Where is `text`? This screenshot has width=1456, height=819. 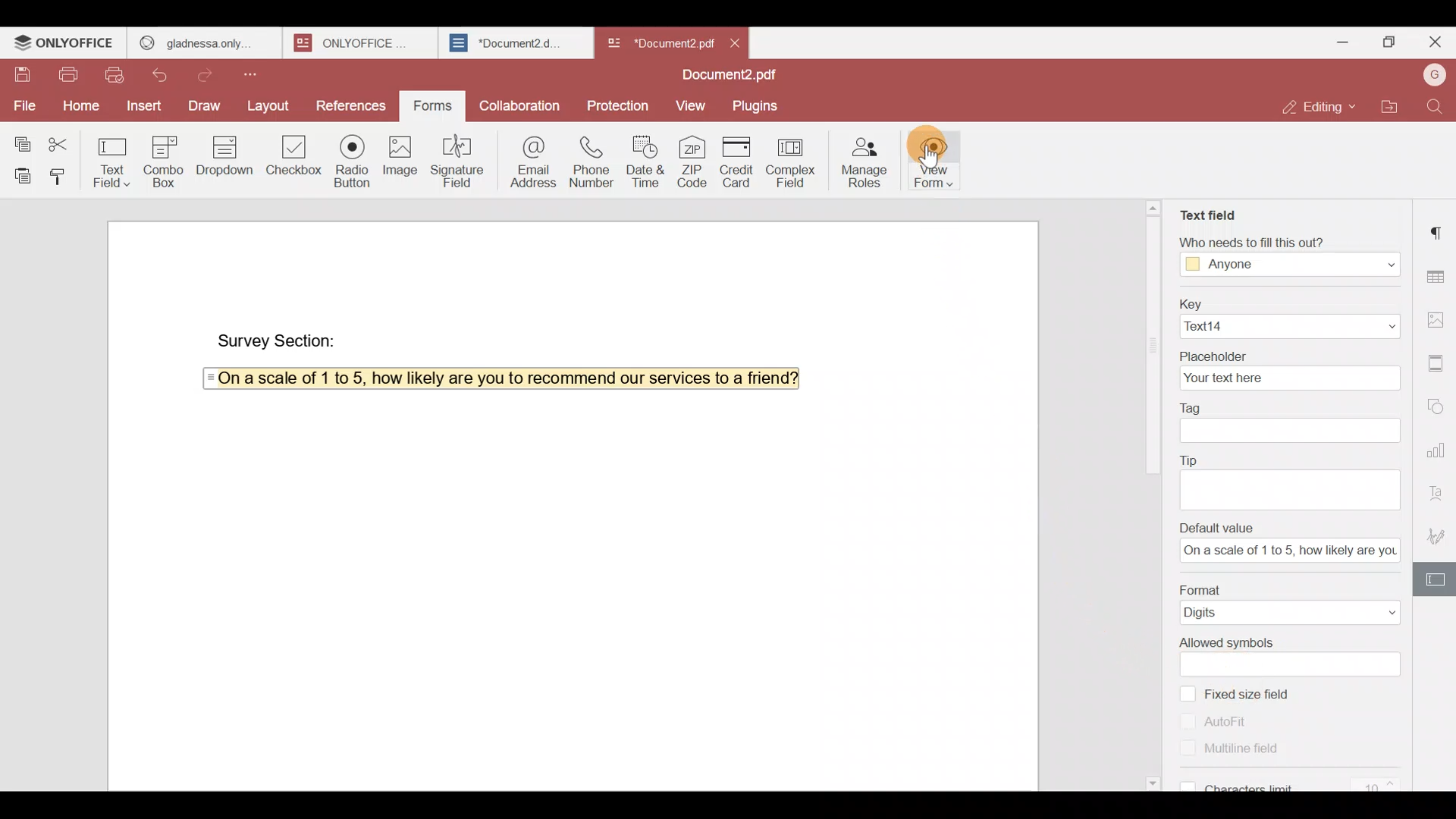
text is located at coordinates (1293, 488).